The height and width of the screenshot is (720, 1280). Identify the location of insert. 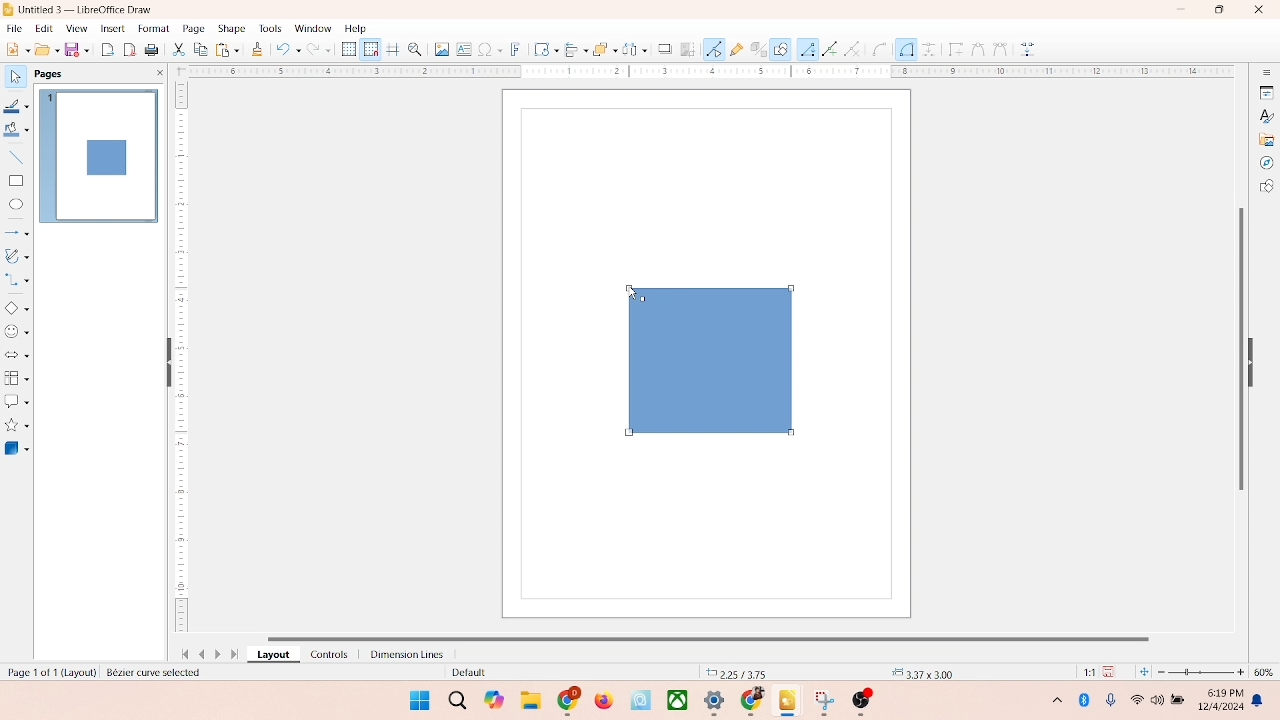
(111, 28).